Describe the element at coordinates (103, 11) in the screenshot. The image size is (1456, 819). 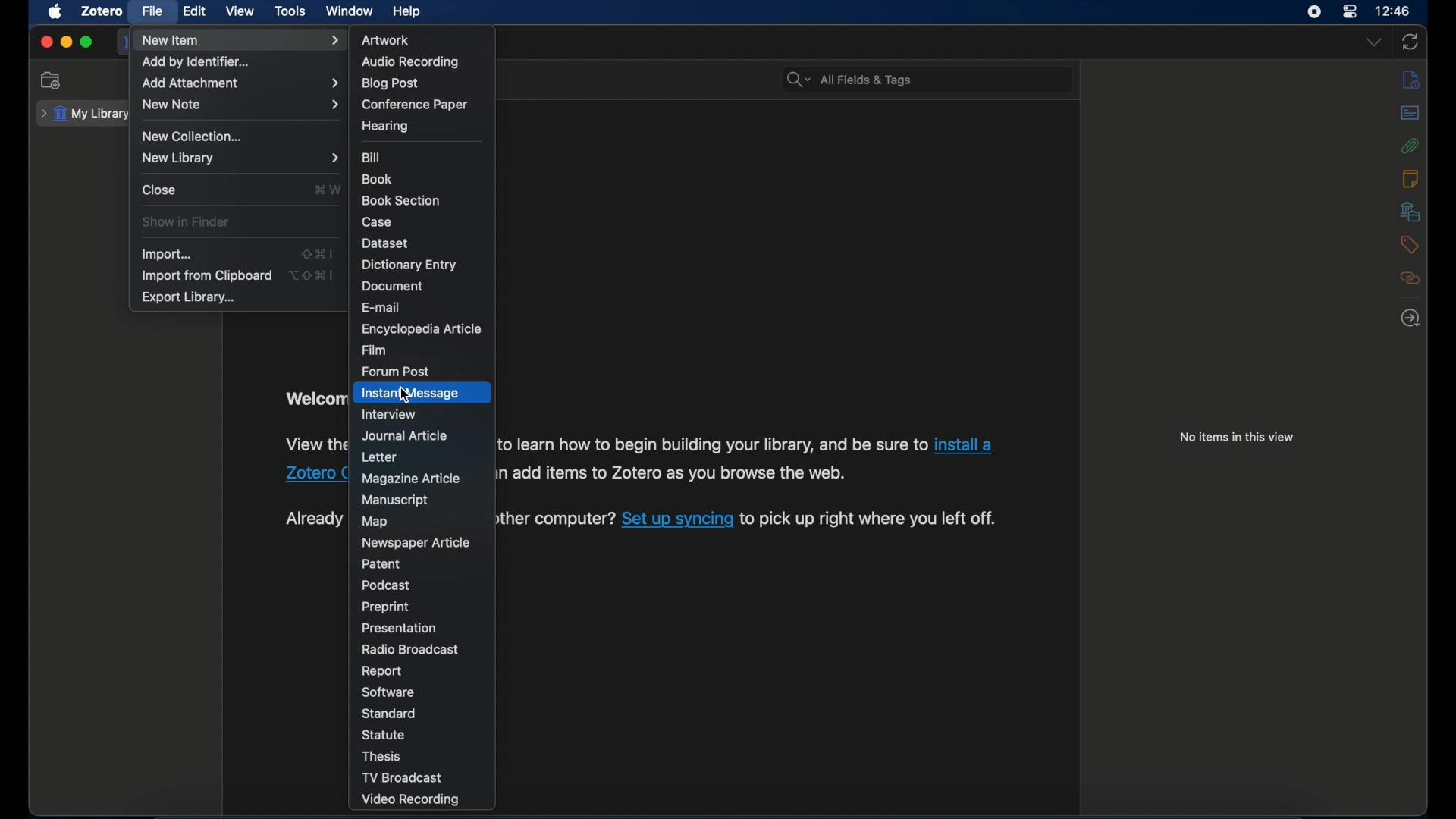
I see `zotero` at that location.